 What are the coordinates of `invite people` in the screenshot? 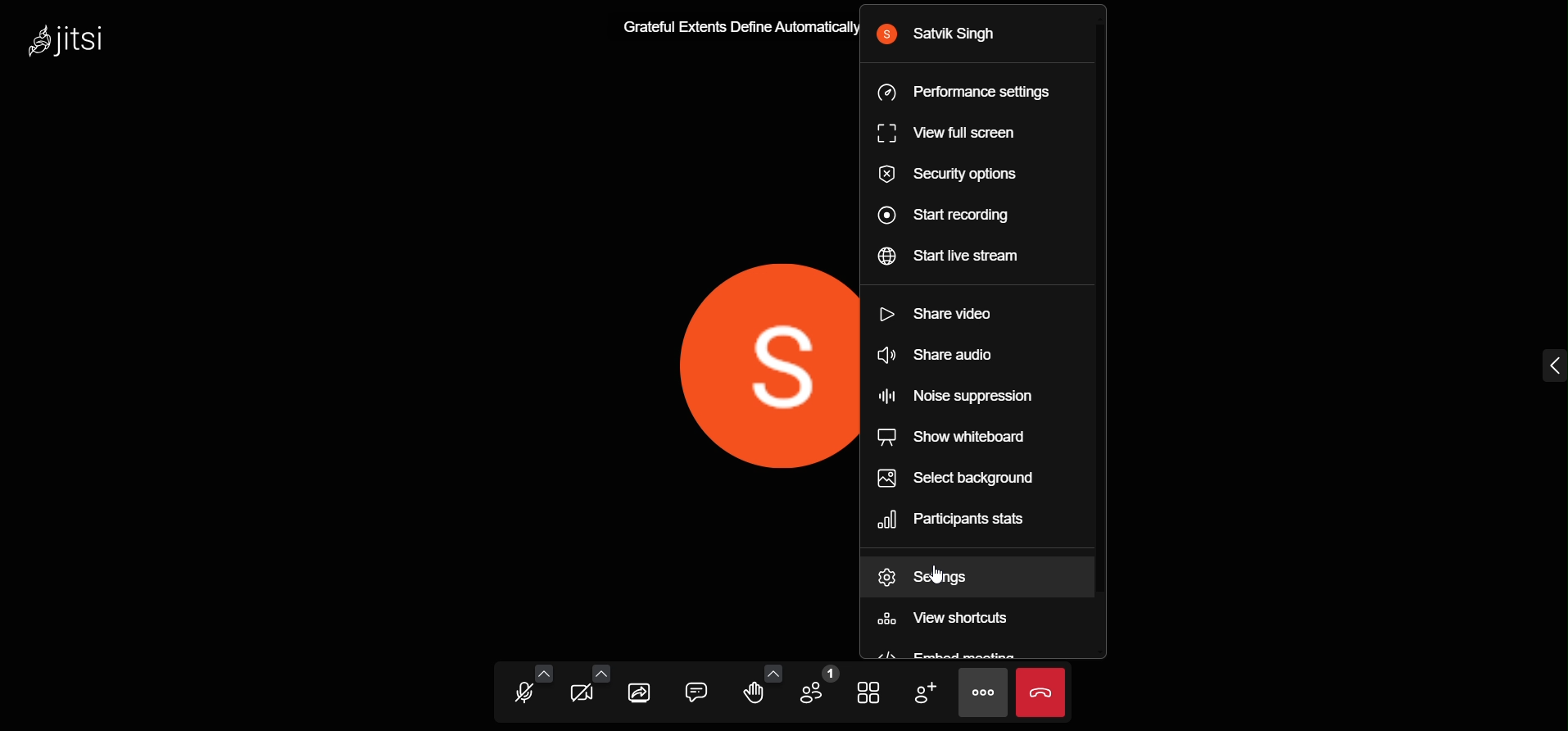 It's located at (923, 692).